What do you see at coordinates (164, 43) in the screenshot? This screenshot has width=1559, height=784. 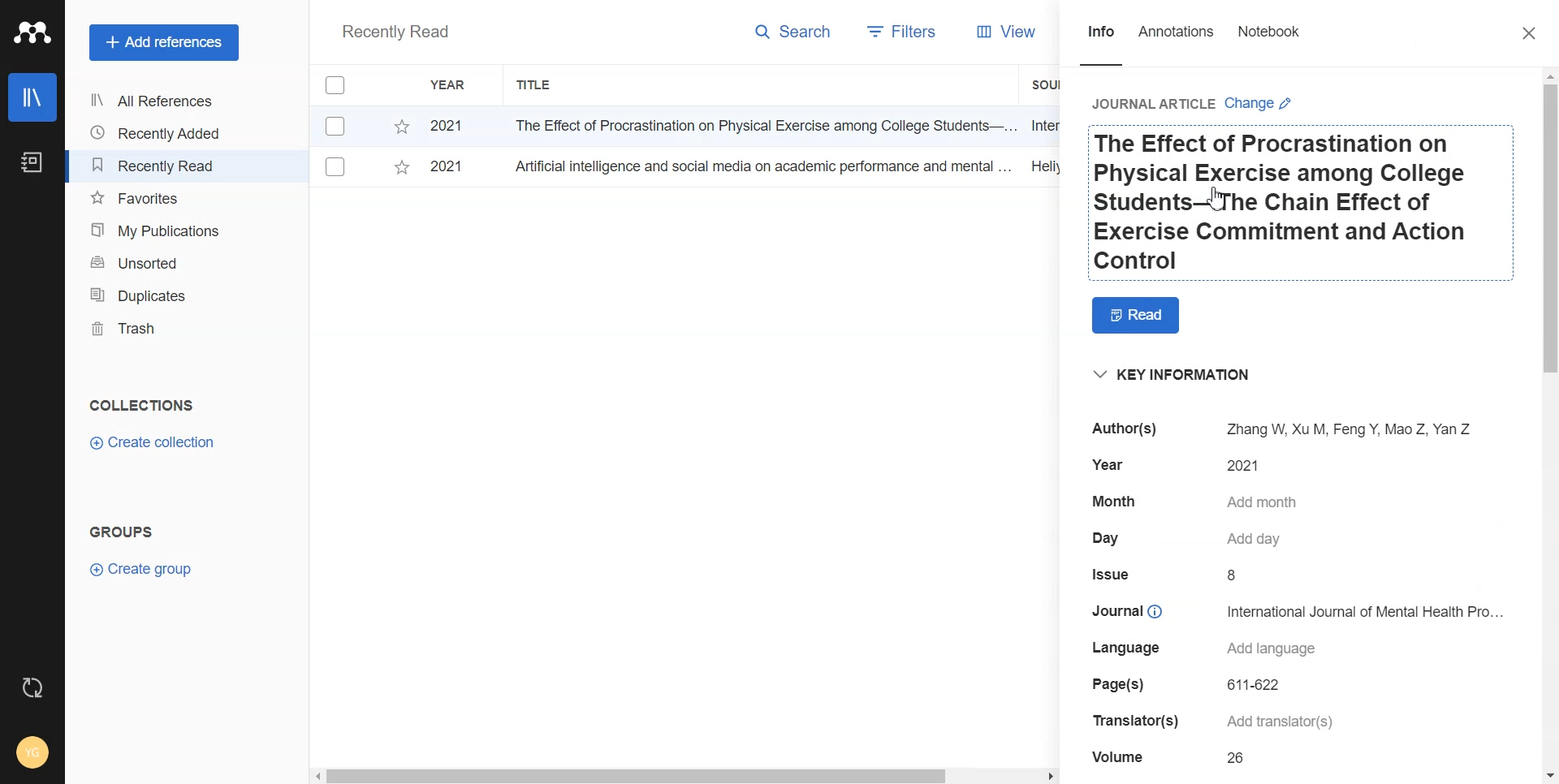 I see `Add references` at bounding box center [164, 43].